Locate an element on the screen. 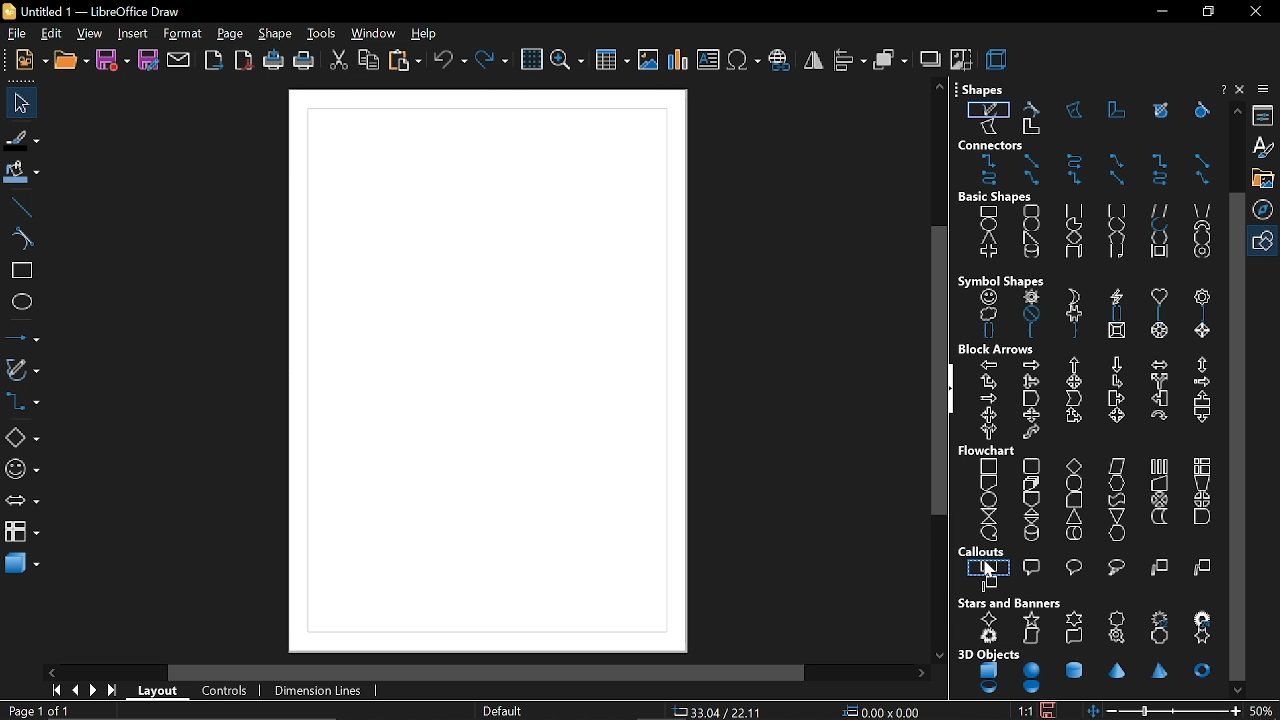 This screenshot has width=1280, height=720. new is located at coordinates (31, 62).